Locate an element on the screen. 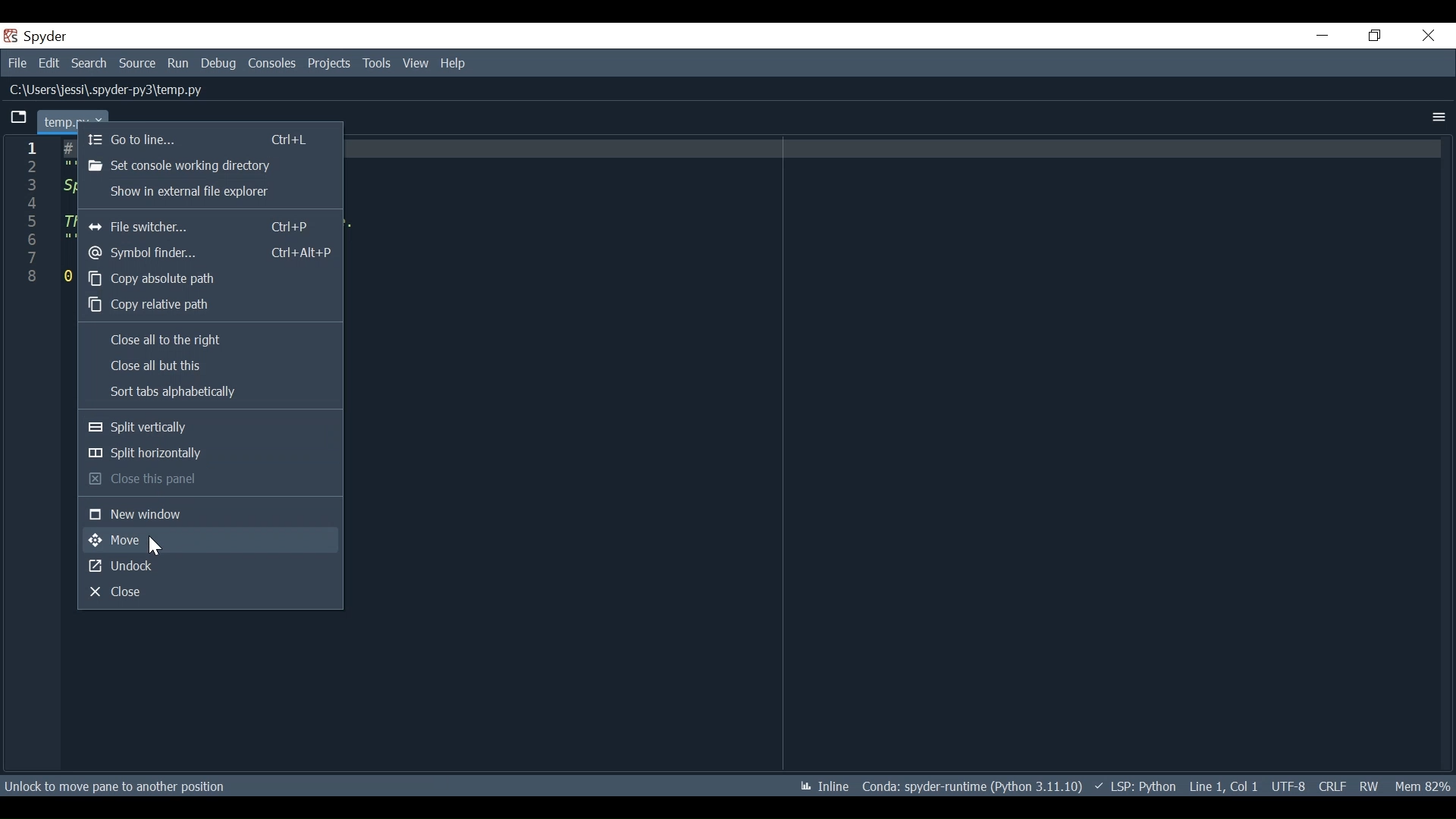 The height and width of the screenshot is (819, 1456). View is located at coordinates (416, 64).